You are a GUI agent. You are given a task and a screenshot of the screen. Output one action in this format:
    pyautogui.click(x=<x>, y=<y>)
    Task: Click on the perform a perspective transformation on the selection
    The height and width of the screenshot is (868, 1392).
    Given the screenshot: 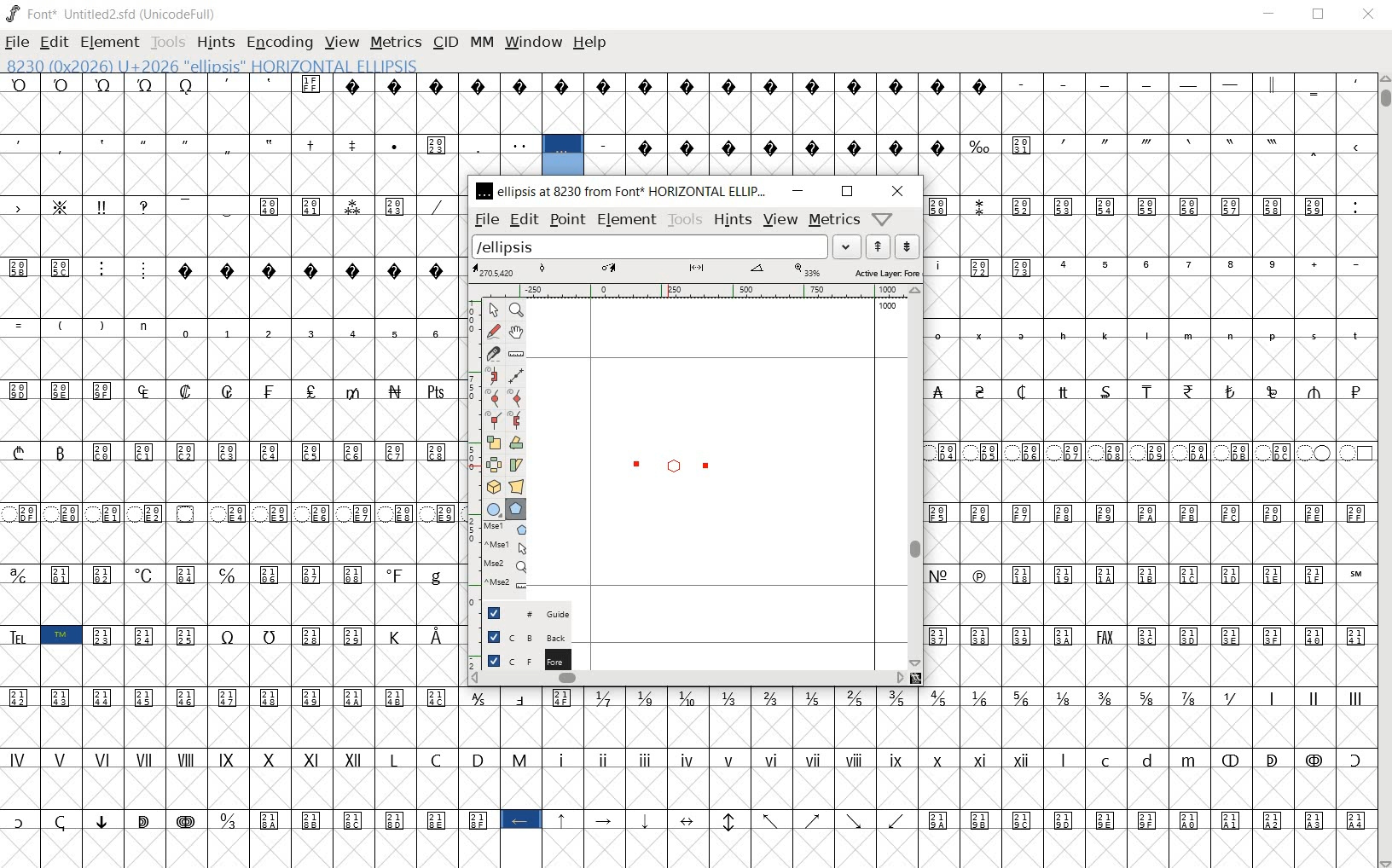 What is the action you would take?
    pyautogui.click(x=517, y=486)
    